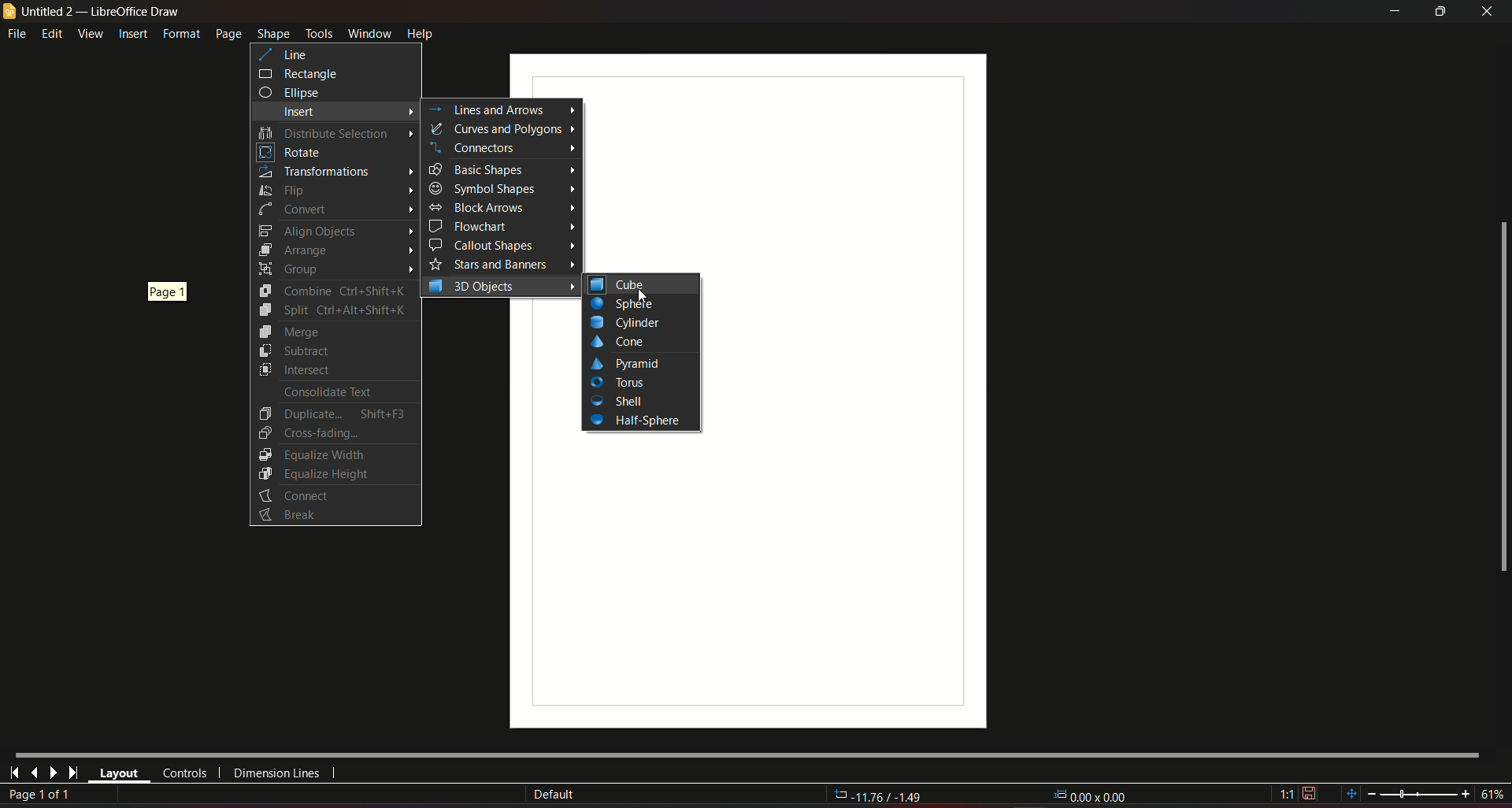  What do you see at coordinates (421, 32) in the screenshot?
I see `help` at bounding box center [421, 32].